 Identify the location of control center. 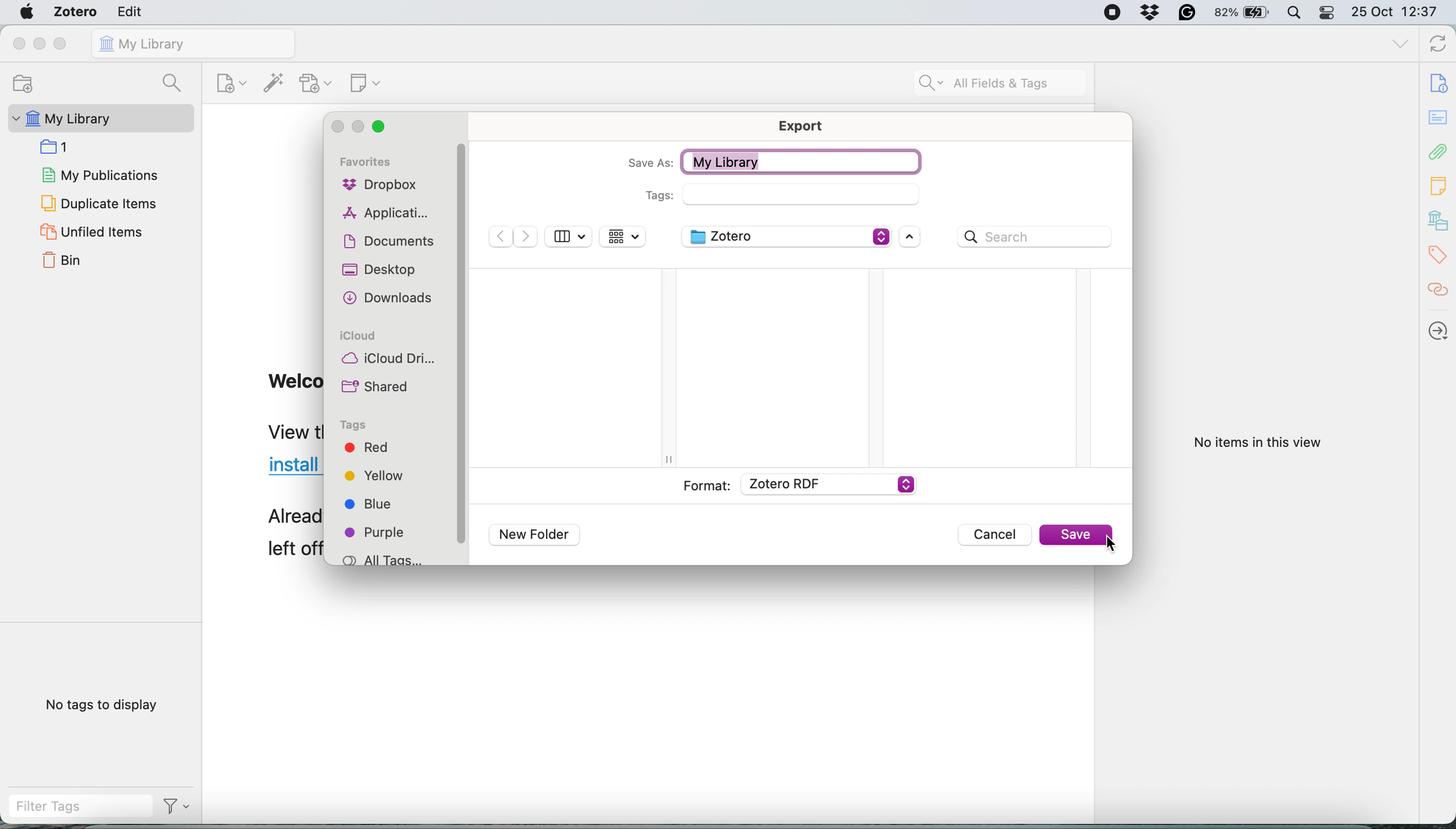
(1328, 13).